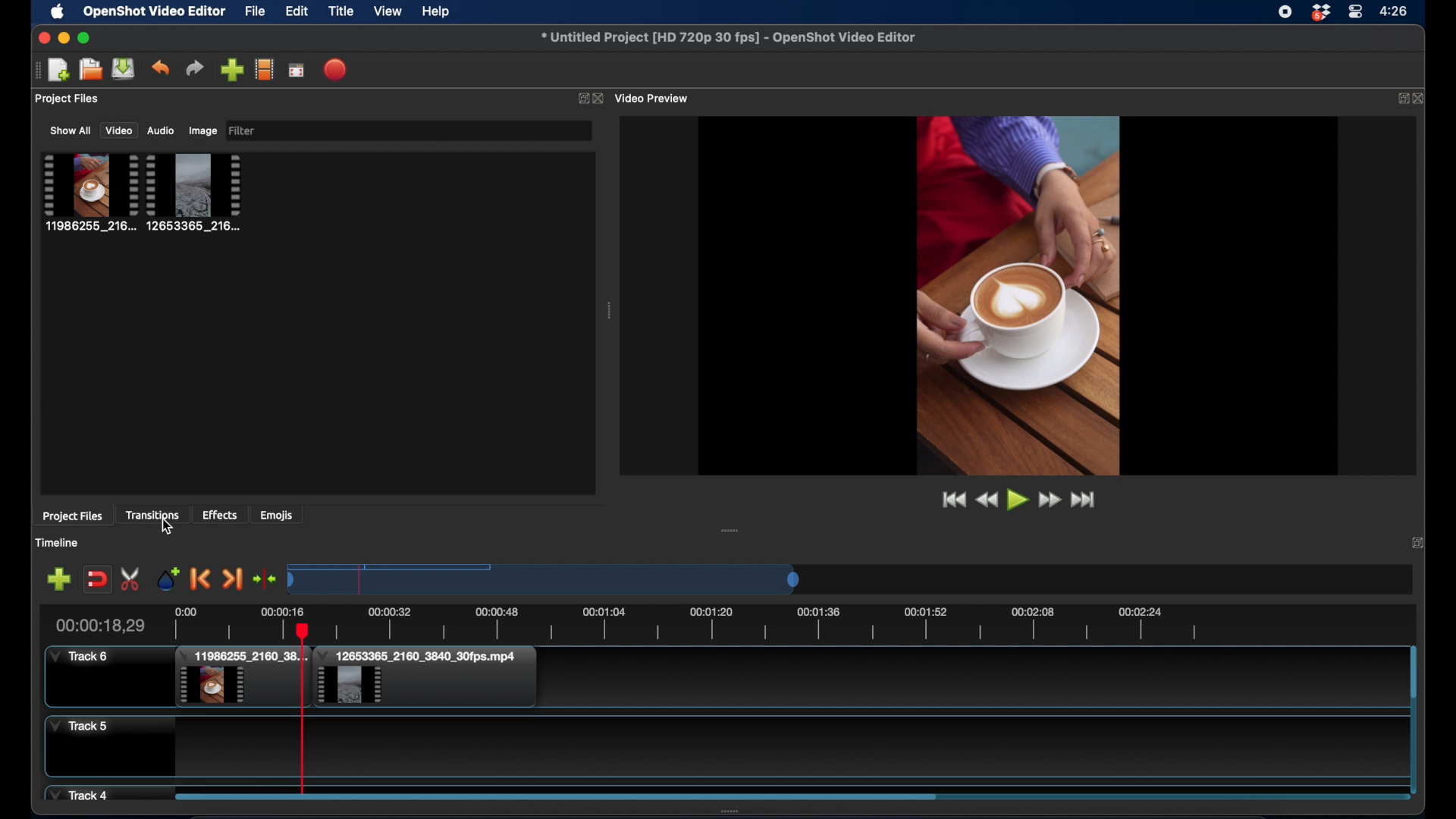 This screenshot has height=819, width=1456. What do you see at coordinates (118, 130) in the screenshot?
I see `video` at bounding box center [118, 130].